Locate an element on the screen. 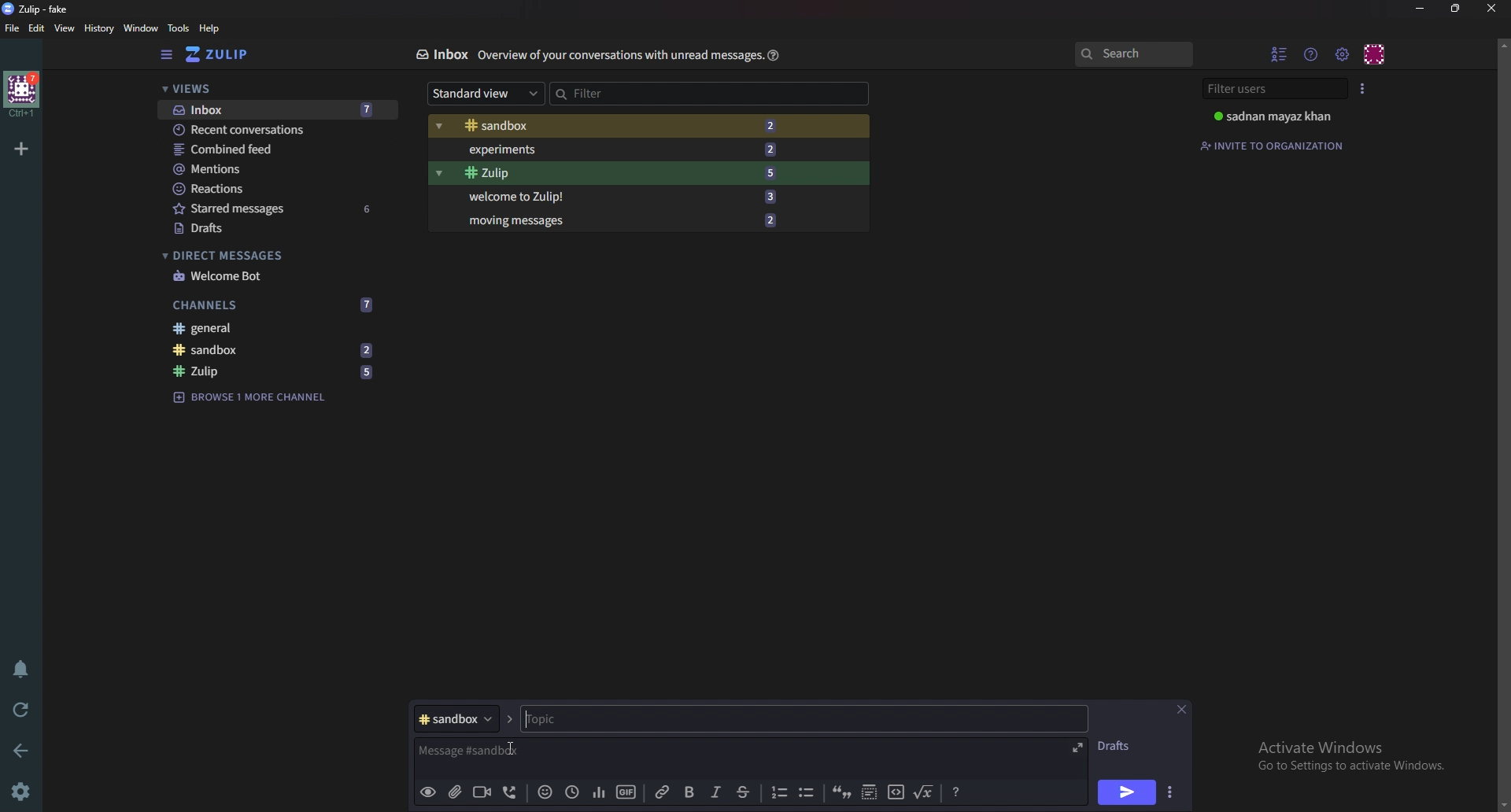  Browse channel is located at coordinates (250, 396).